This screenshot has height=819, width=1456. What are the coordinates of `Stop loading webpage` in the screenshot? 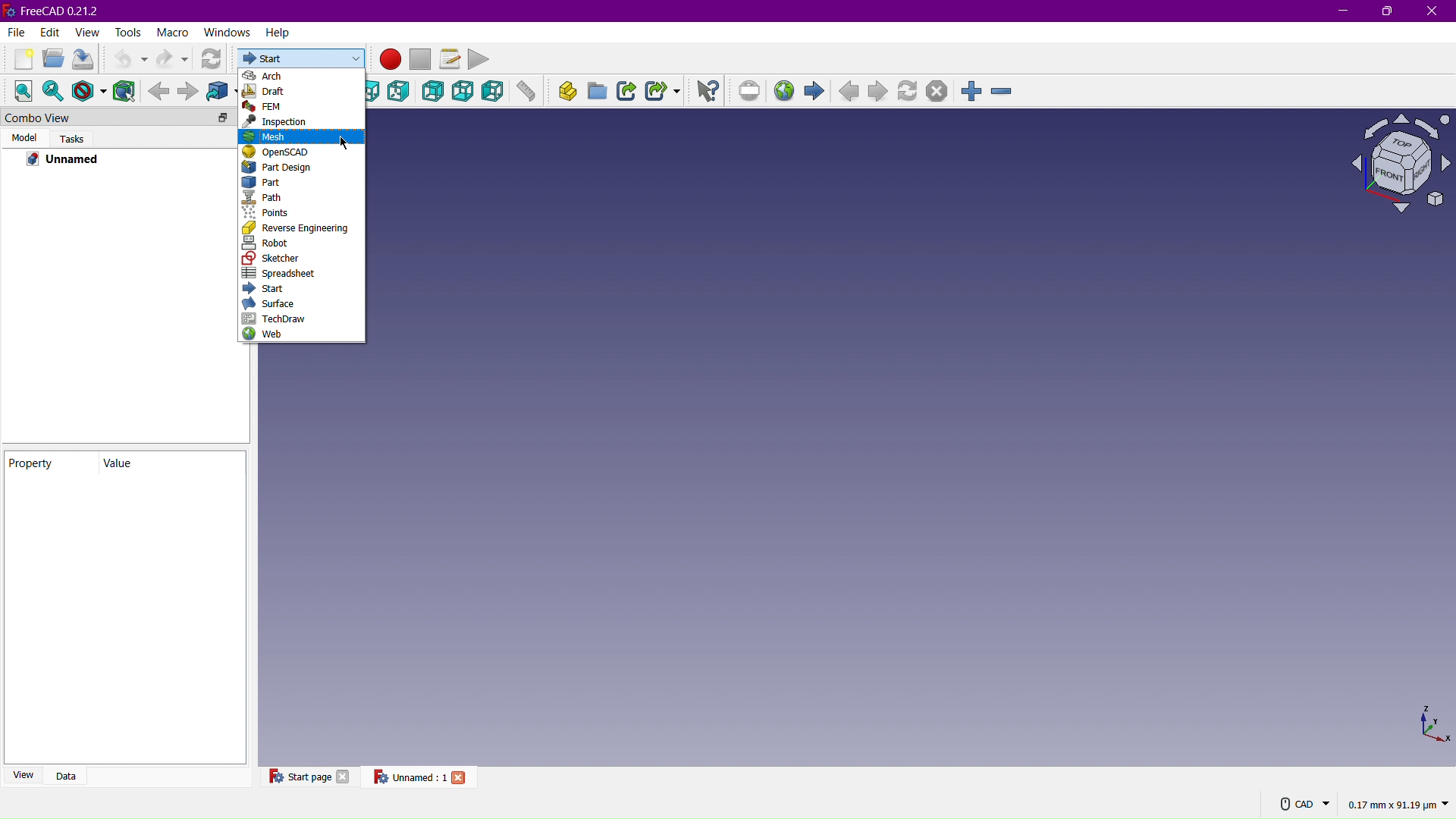 It's located at (936, 92).